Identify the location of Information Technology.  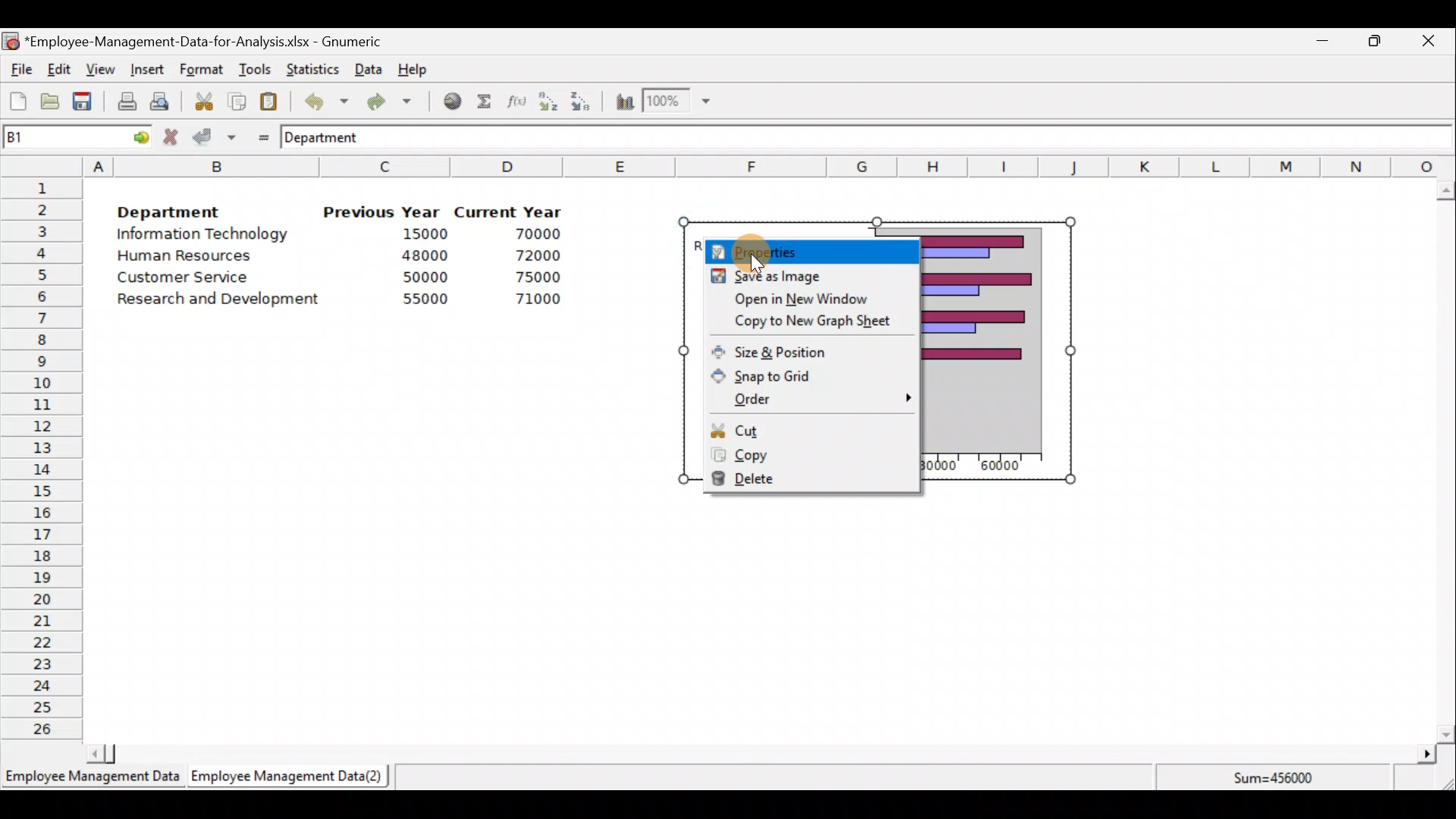
(205, 234).